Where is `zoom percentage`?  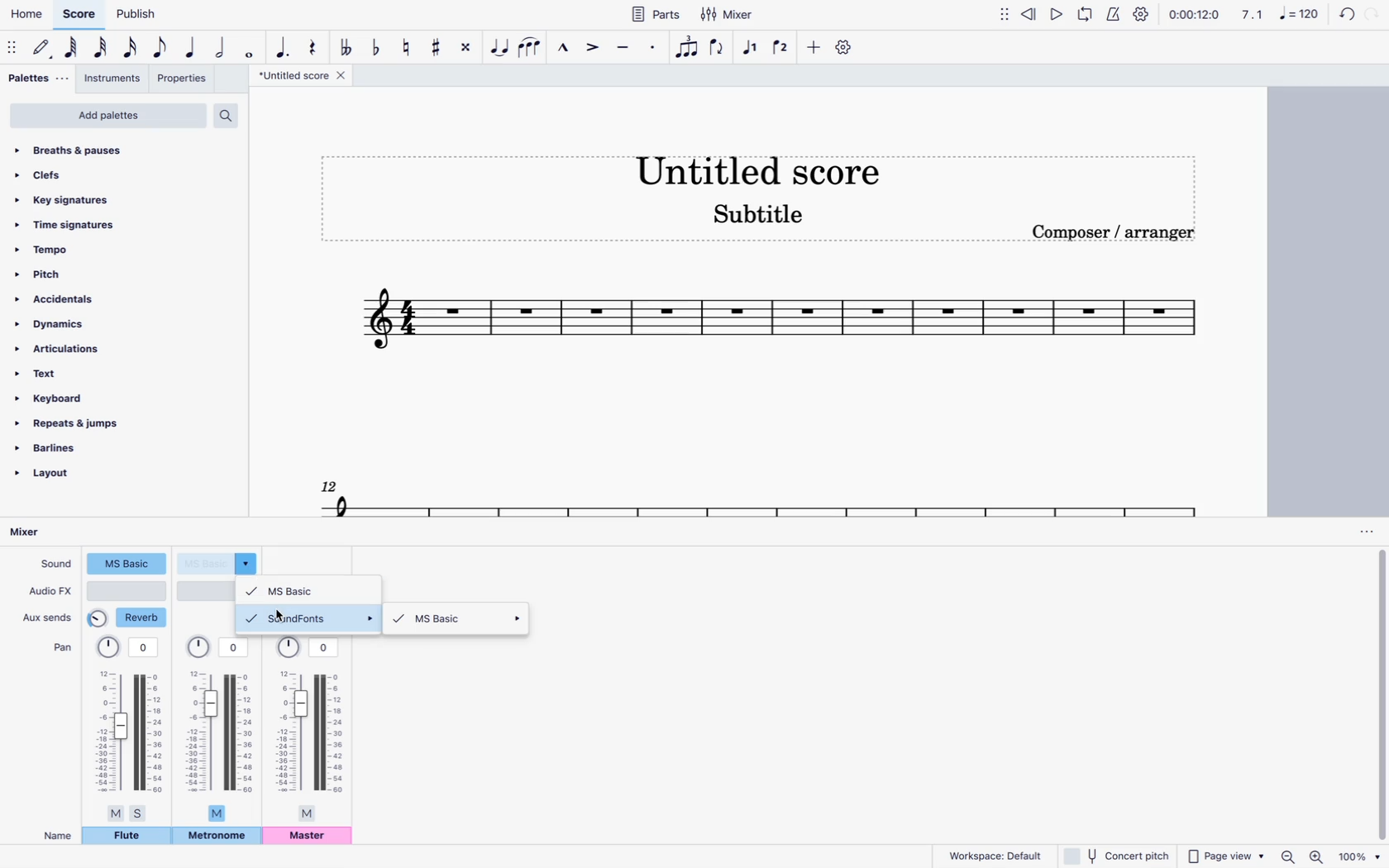 zoom percentage is located at coordinates (1360, 856).